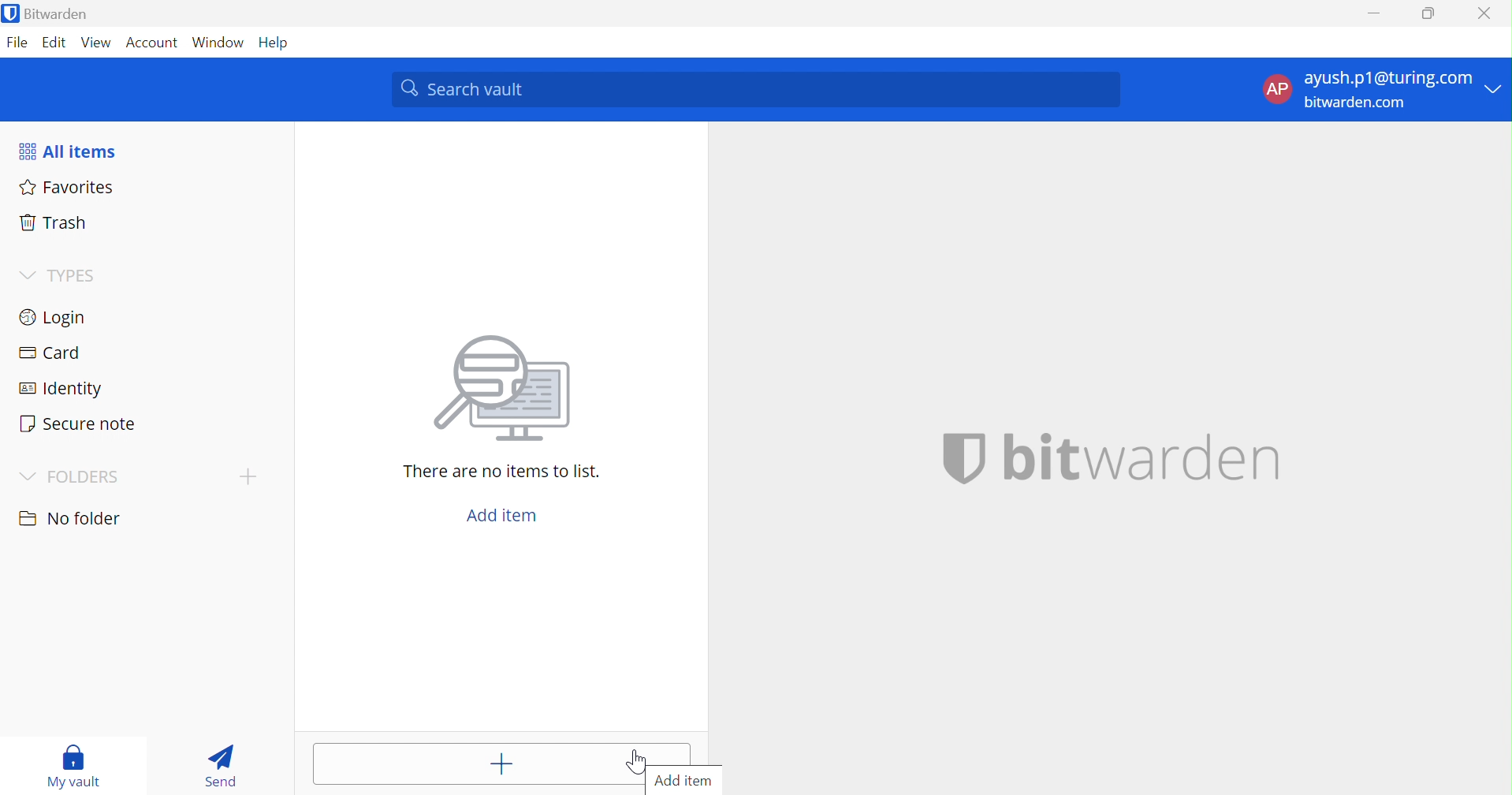 This screenshot has width=1512, height=795. I want to click on There are no items to list., so click(503, 473).